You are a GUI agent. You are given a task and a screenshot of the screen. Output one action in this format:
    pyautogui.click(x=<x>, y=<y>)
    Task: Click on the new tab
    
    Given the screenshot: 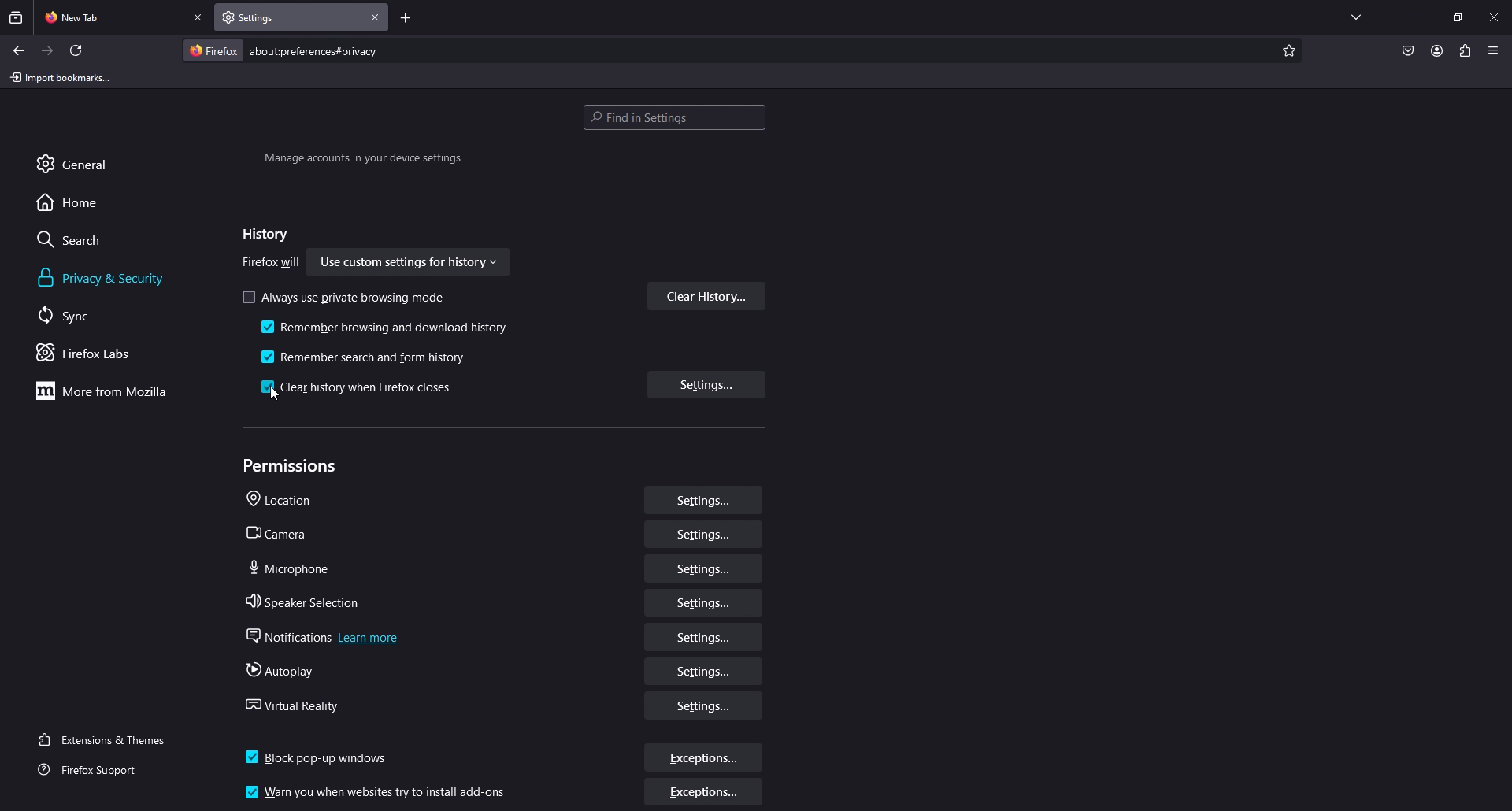 What is the action you would take?
    pyautogui.click(x=111, y=16)
    